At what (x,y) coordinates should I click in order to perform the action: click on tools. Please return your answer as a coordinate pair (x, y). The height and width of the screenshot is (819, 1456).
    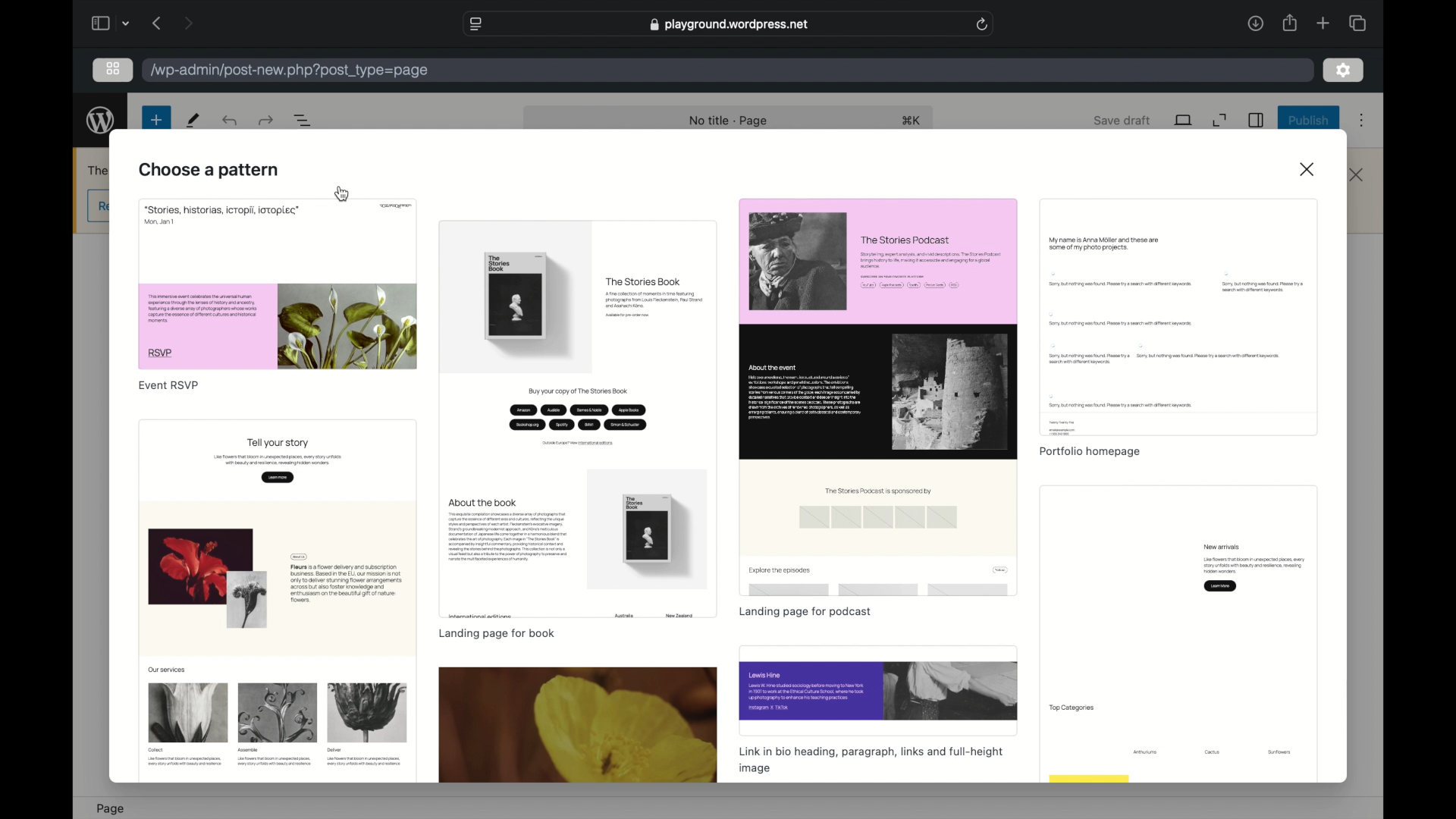
    Looking at the image, I should click on (193, 121).